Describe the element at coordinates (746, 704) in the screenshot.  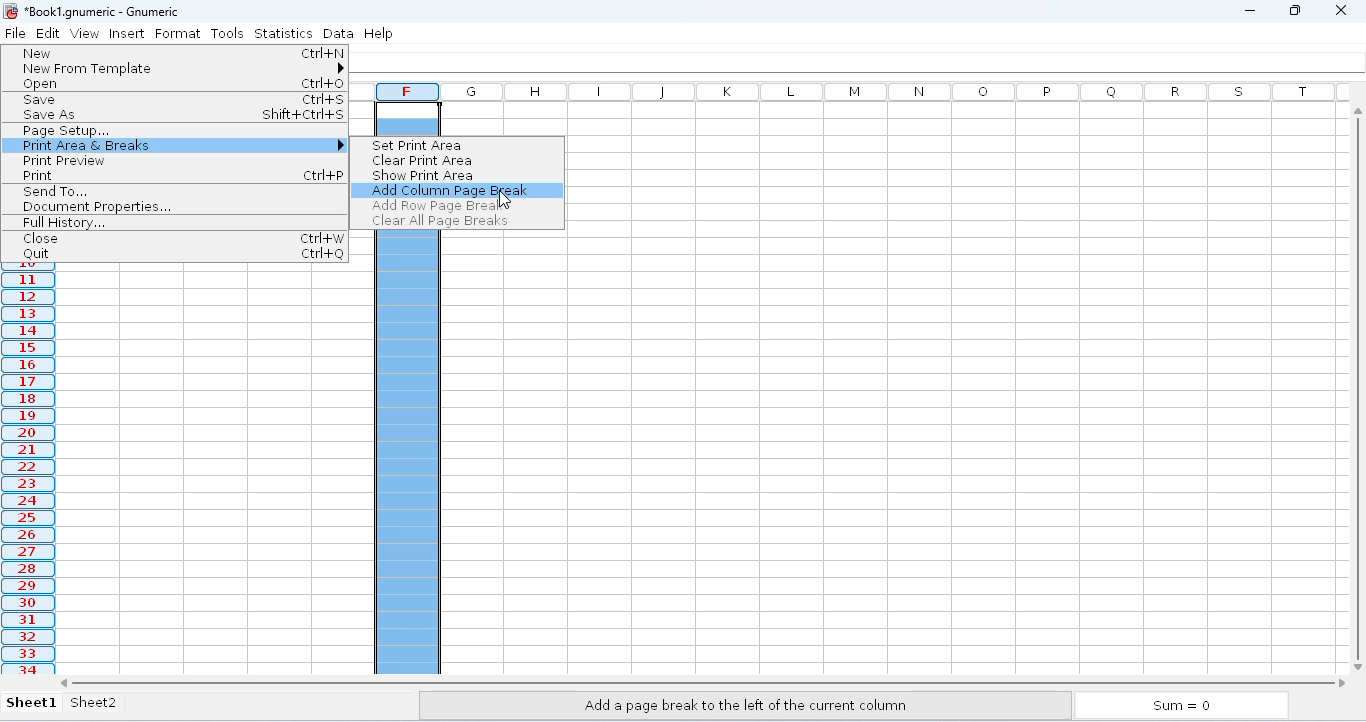
I see `add a page break to the left of the current column` at that location.